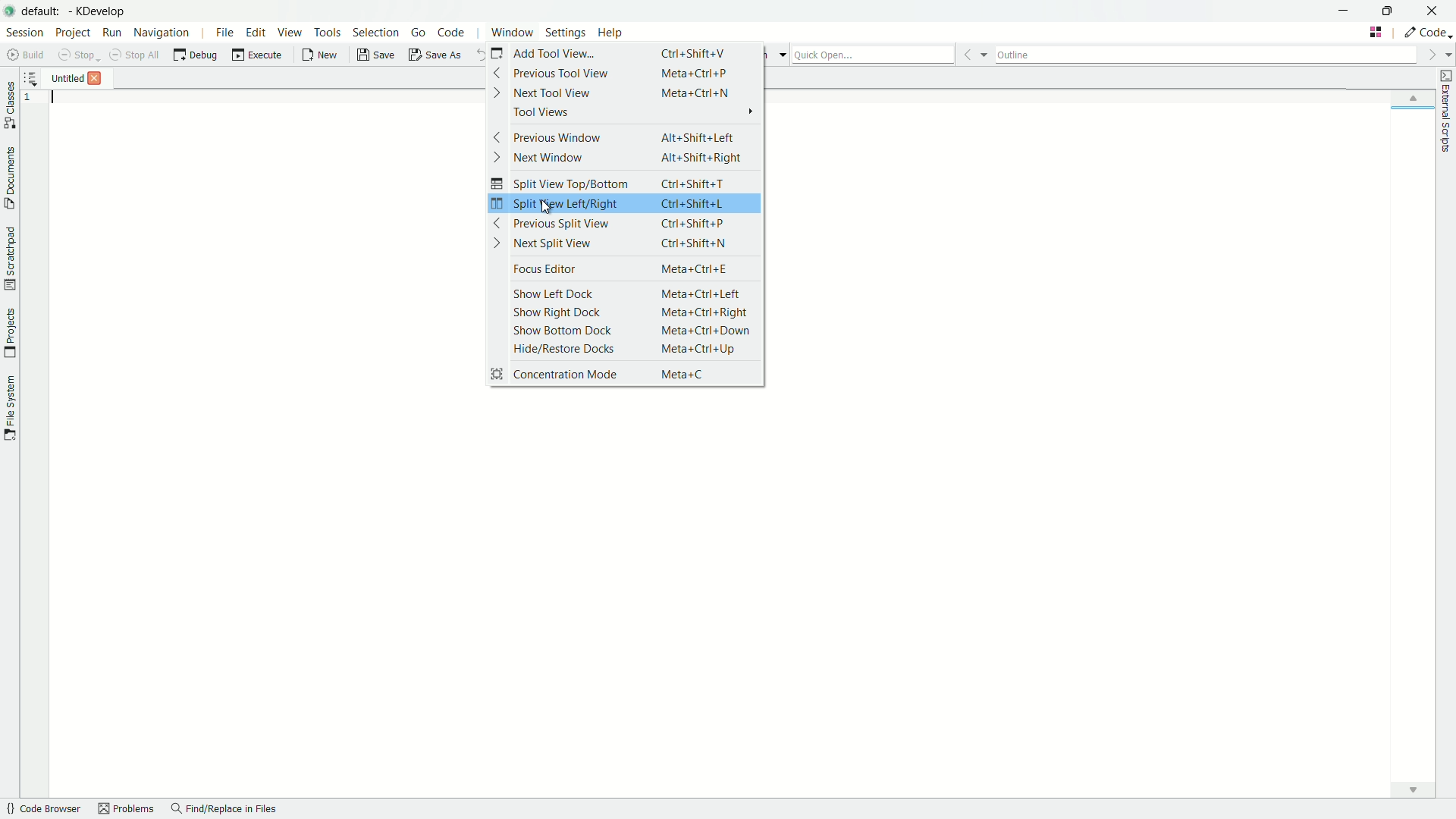 The height and width of the screenshot is (819, 1456). I want to click on quick open, so click(889, 55).